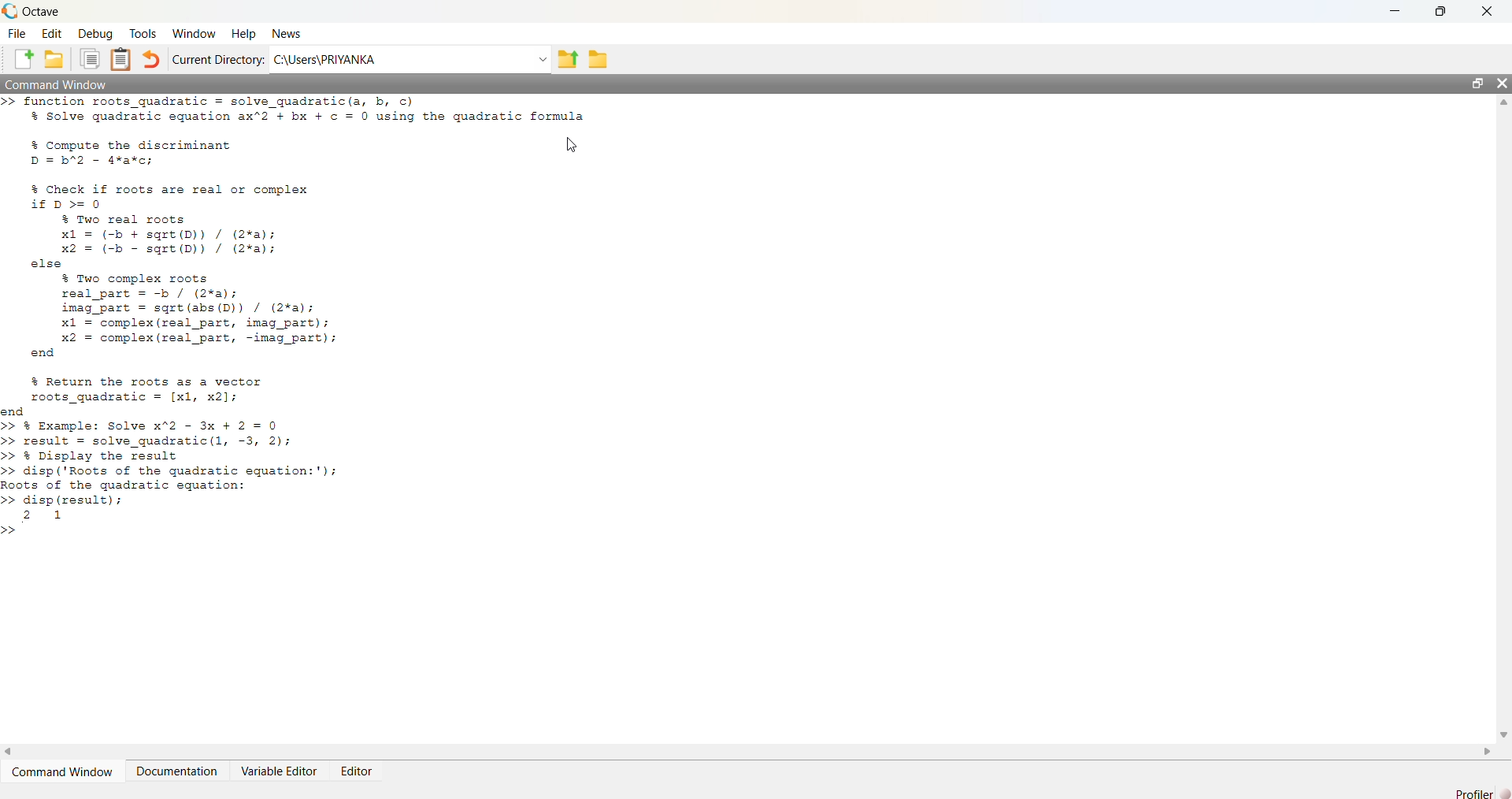 The image size is (1512, 799). I want to click on Close, so click(1487, 11).